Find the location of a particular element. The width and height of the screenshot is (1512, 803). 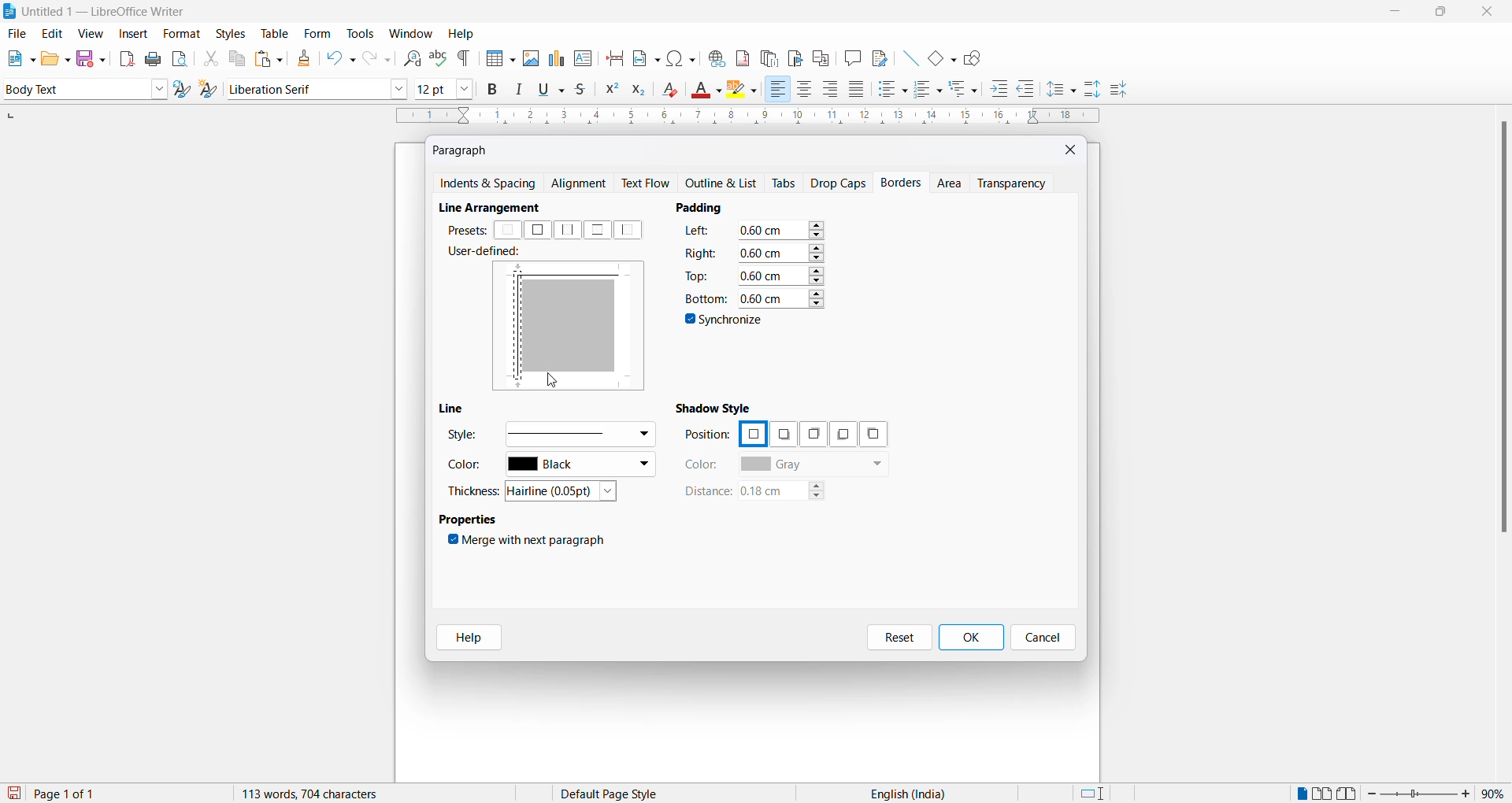

table is located at coordinates (275, 33).